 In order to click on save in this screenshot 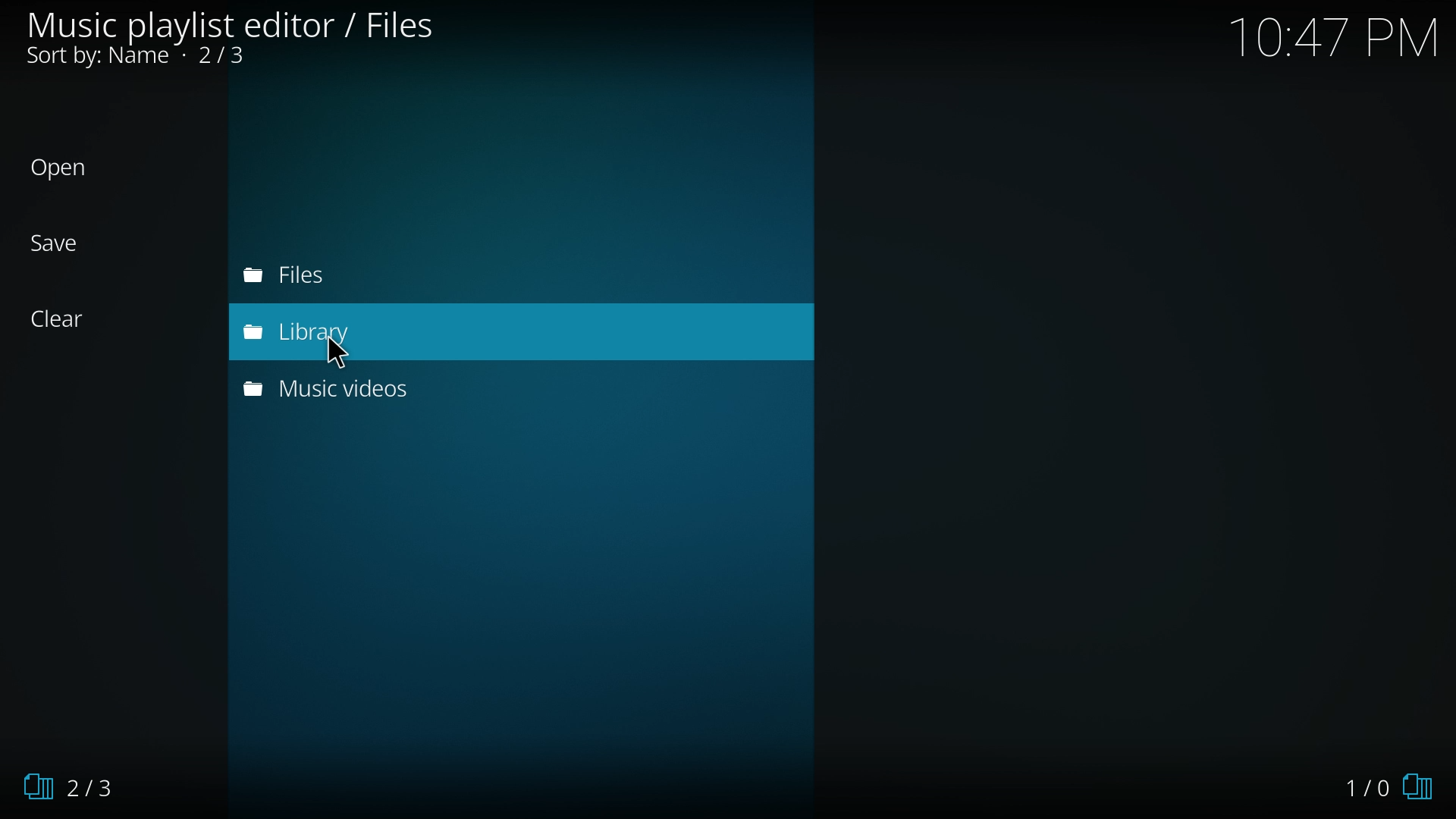, I will do `click(65, 245)`.